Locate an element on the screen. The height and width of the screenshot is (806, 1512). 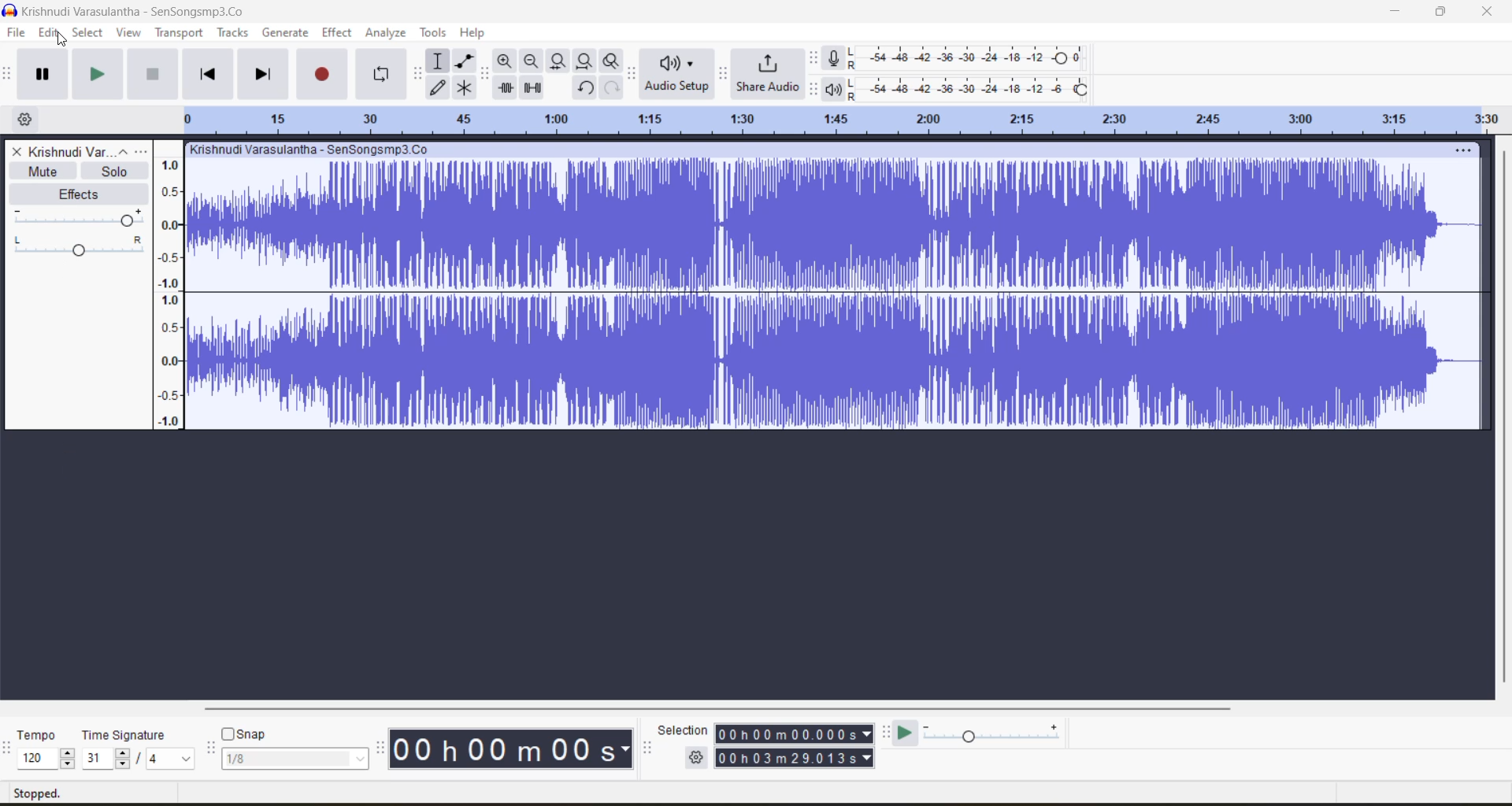
trim audio outside selection is located at coordinates (505, 89).